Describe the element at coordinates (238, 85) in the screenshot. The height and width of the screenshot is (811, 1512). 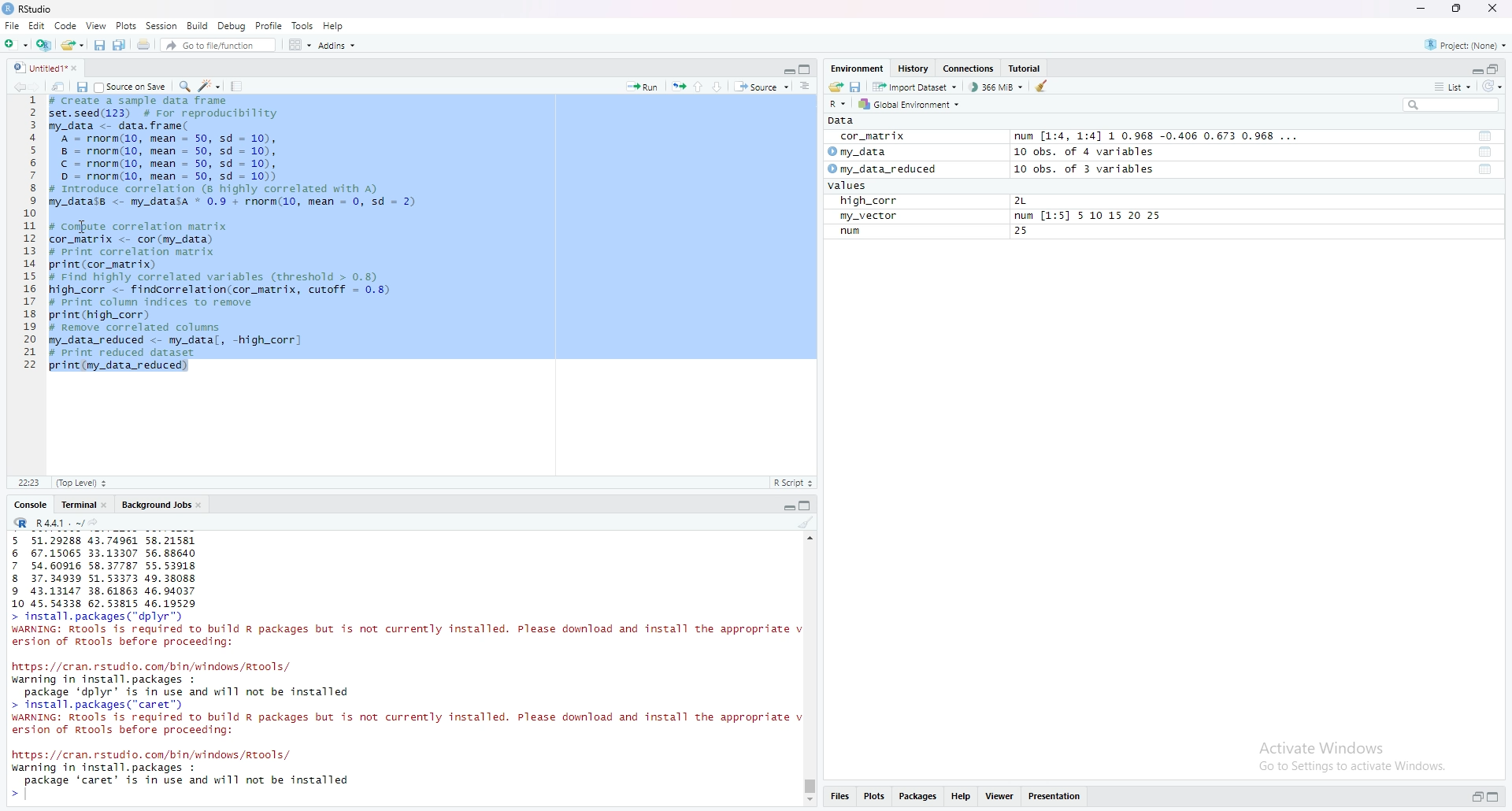
I see `Tools ` at that location.